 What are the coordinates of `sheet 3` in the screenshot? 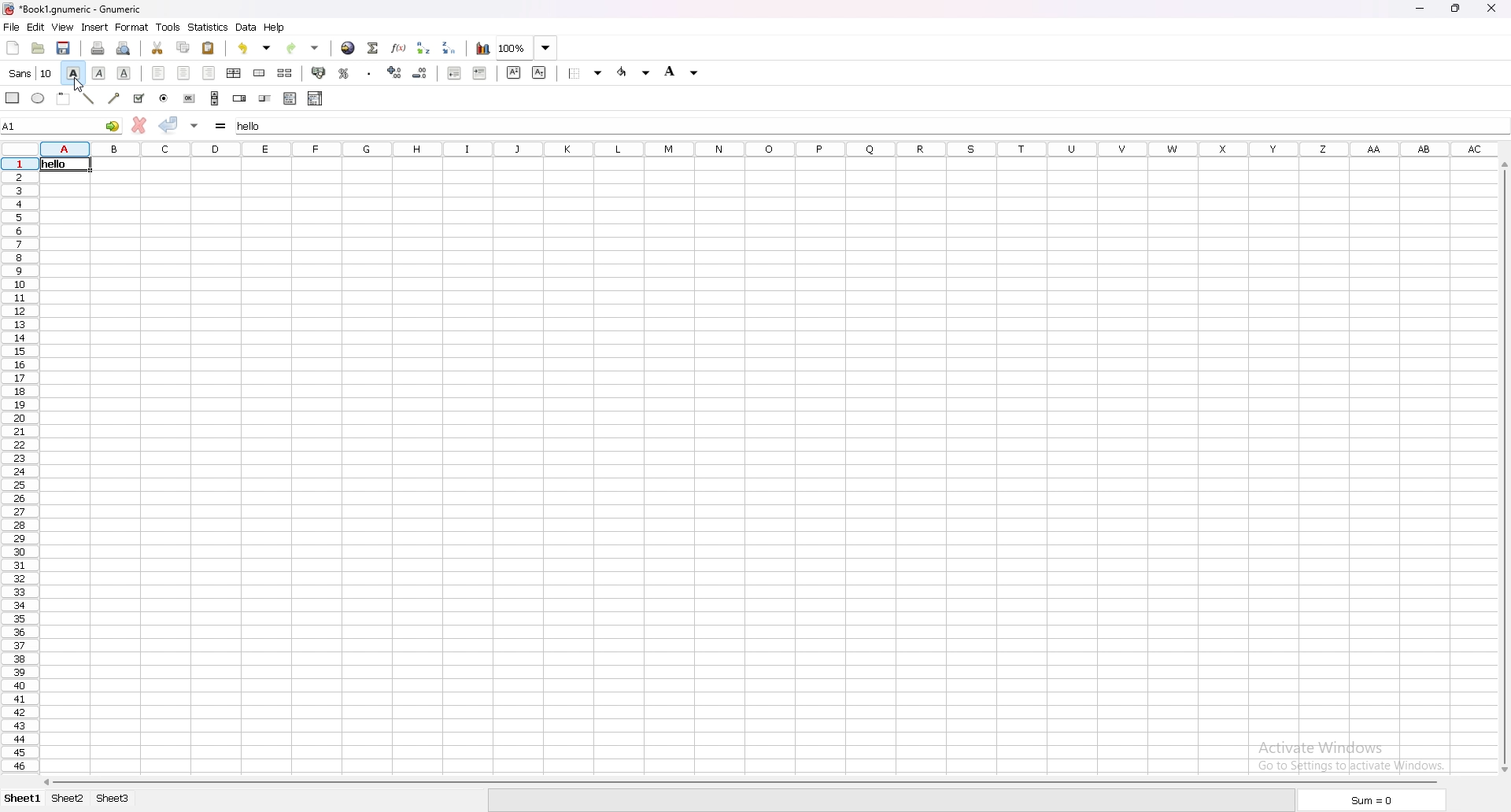 It's located at (117, 799).